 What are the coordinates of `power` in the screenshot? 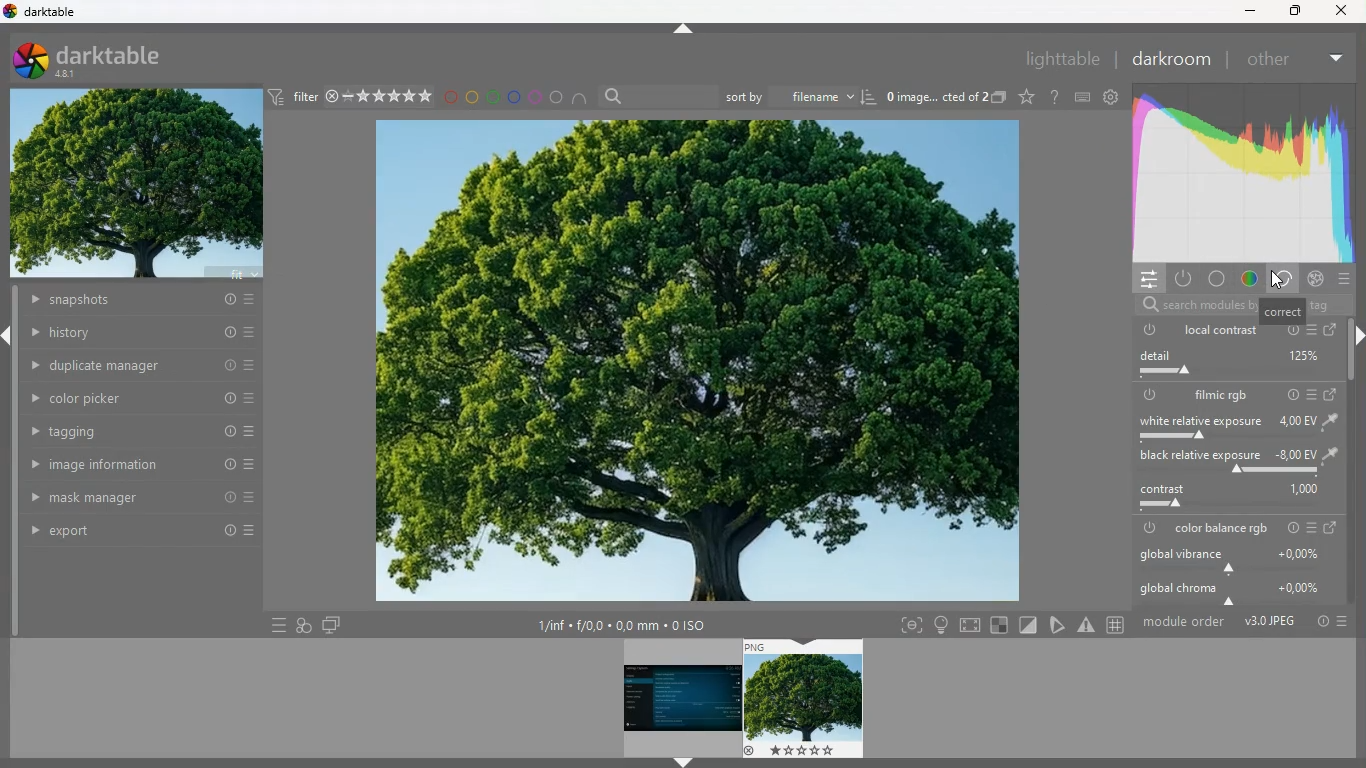 It's located at (1153, 330).